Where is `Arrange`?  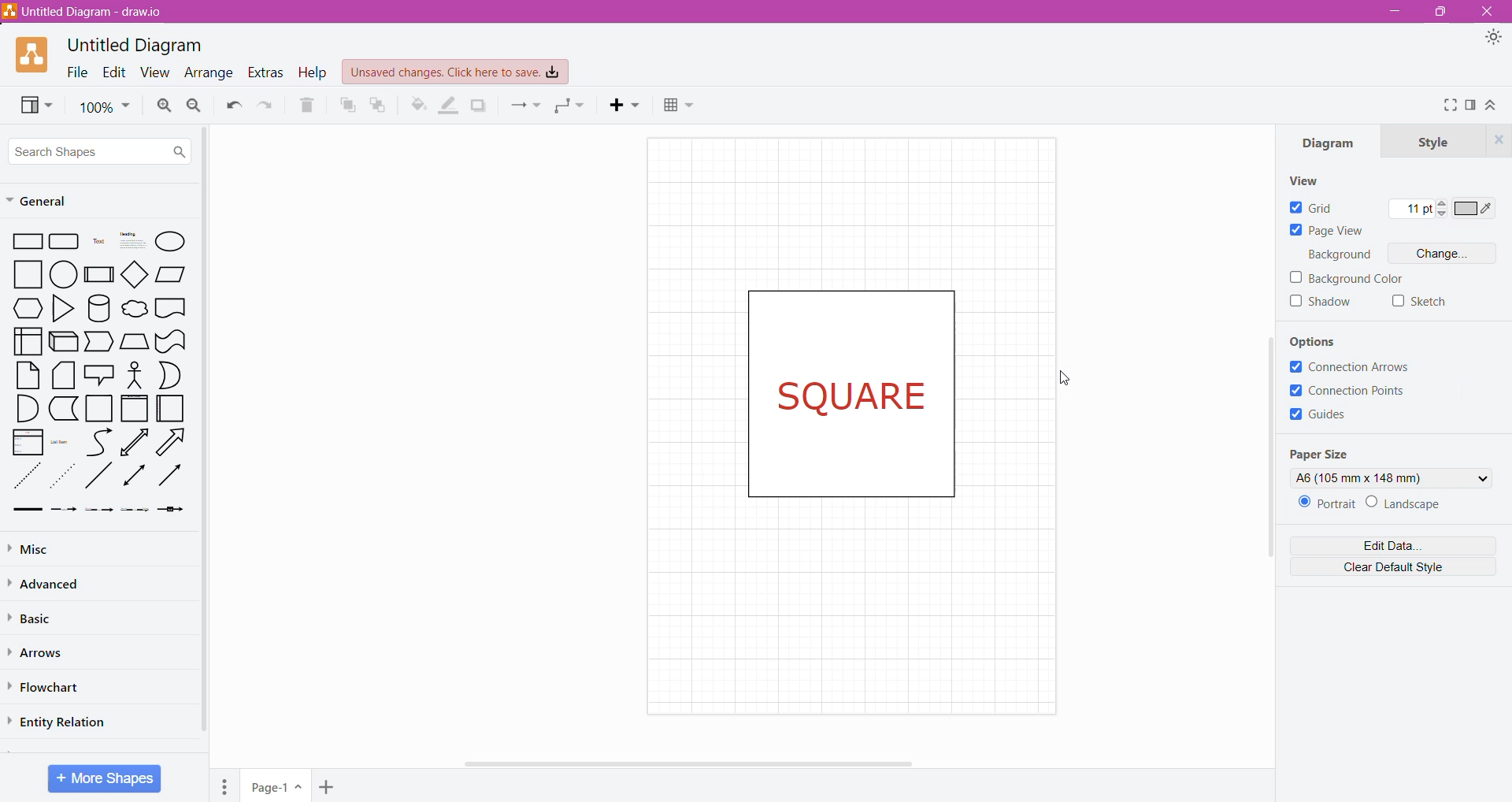 Arrange is located at coordinates (210, 72).